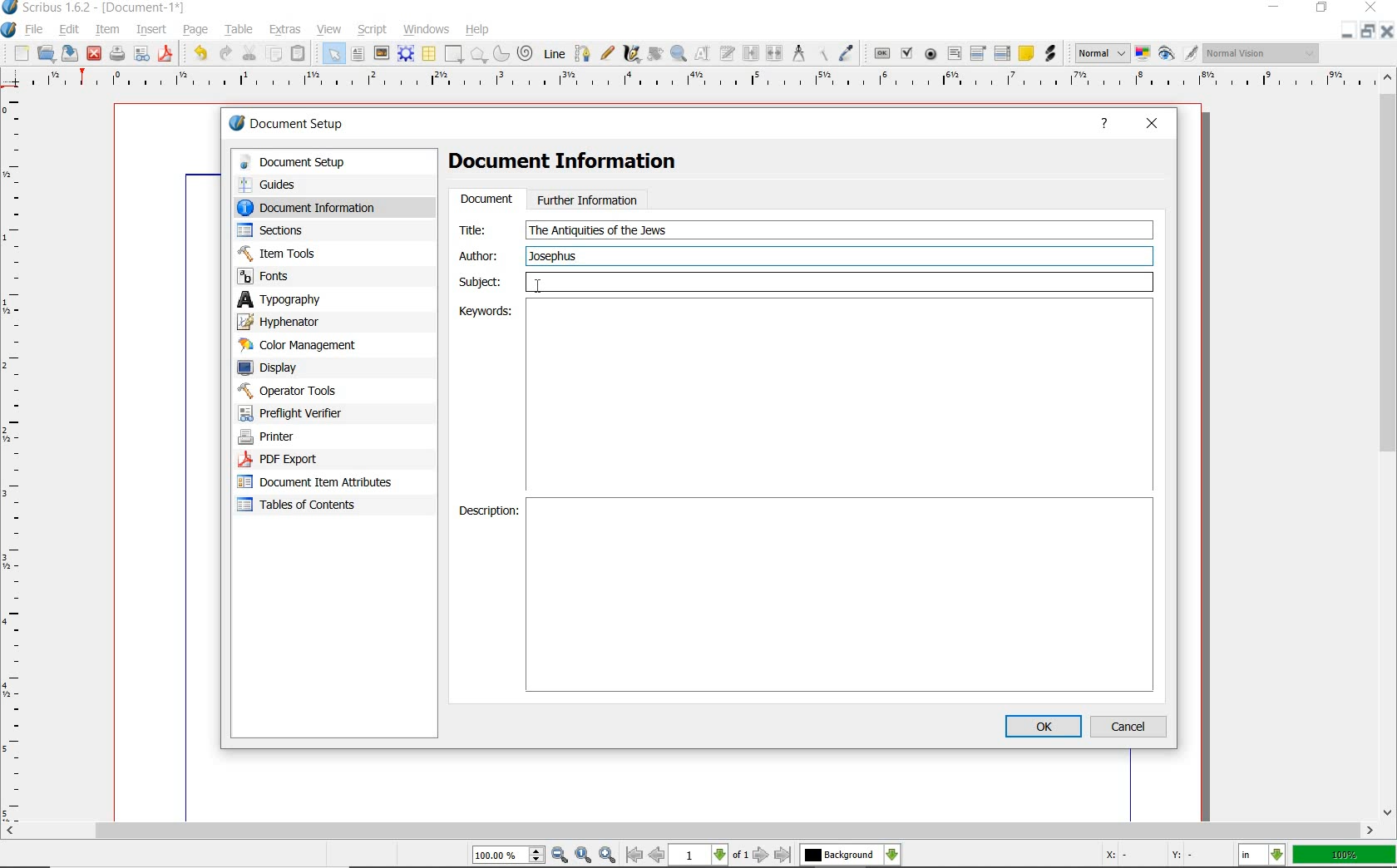 This screenshot has width=1397, height=868. What do you see at coordinates (655, 55) in the screenshot?
I see `rotate item` at bounding box center [655, 55].